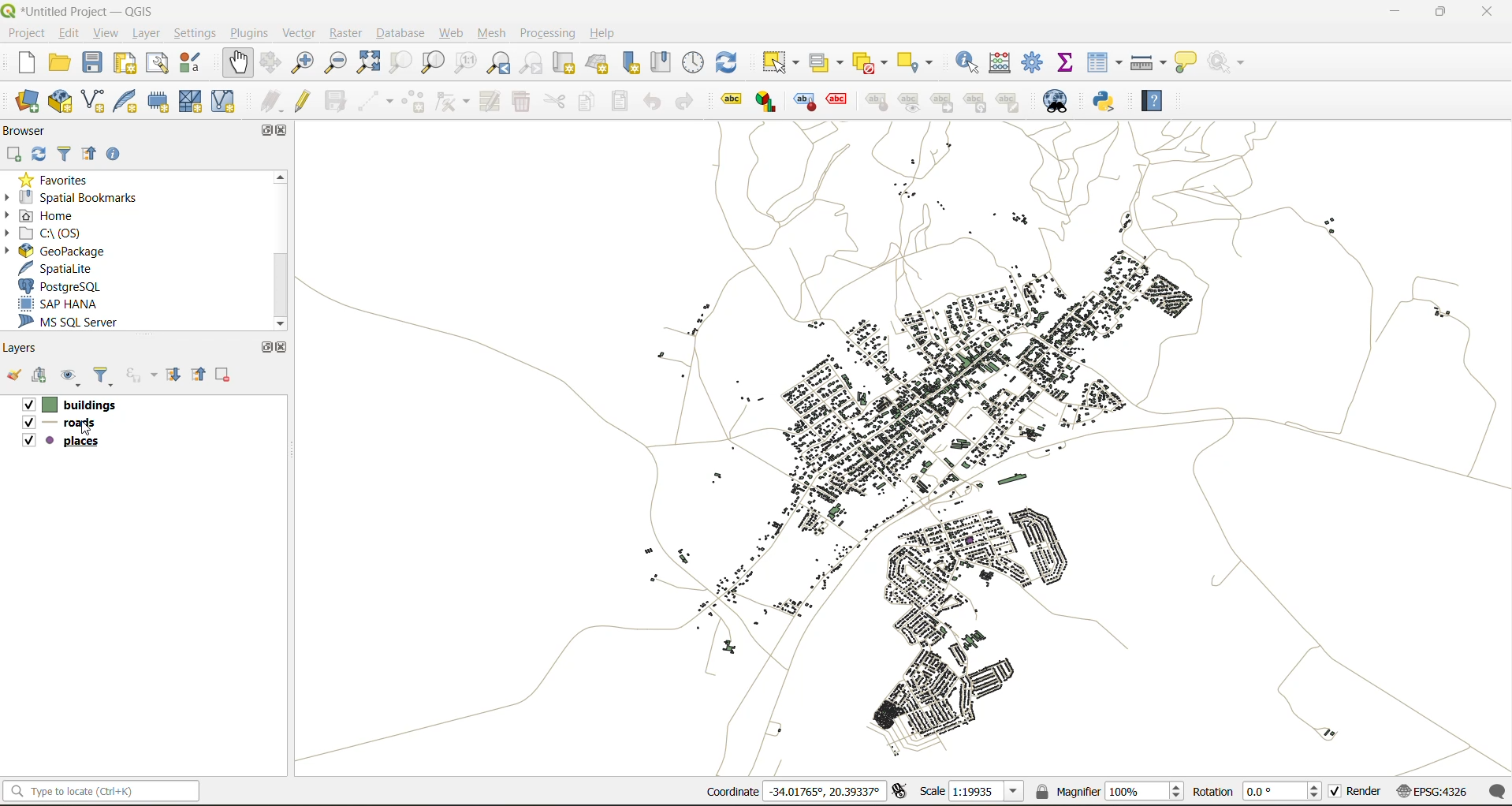  Describe the element at coordinates (977, 101) in the screenshot. I see `rotate a label` at that location.